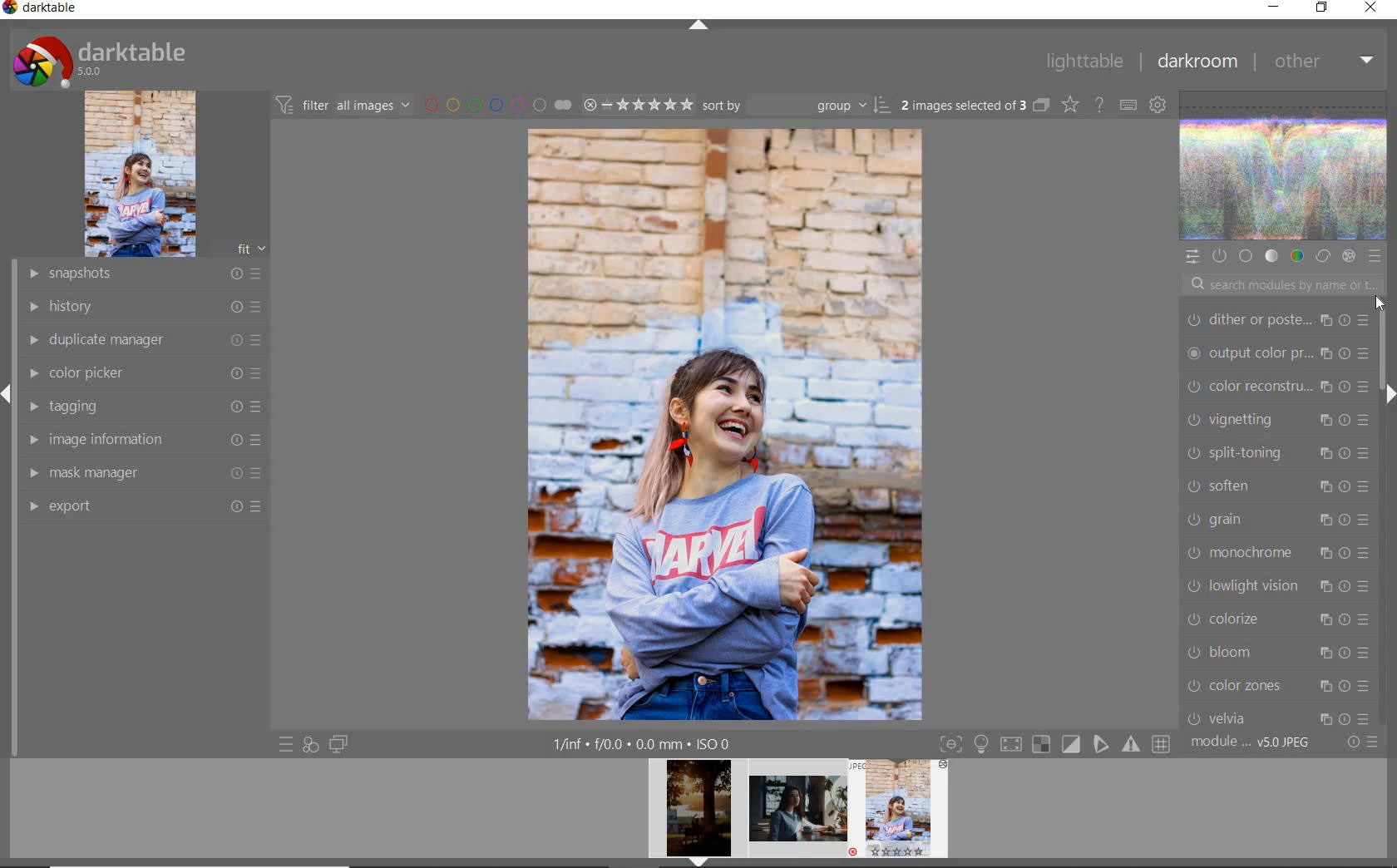 Image resolution: width=1397 pixels, height=868 pixels. Describe the element at coordinates (102, 59) in the screenshot. I see `system logo and name` at that location.